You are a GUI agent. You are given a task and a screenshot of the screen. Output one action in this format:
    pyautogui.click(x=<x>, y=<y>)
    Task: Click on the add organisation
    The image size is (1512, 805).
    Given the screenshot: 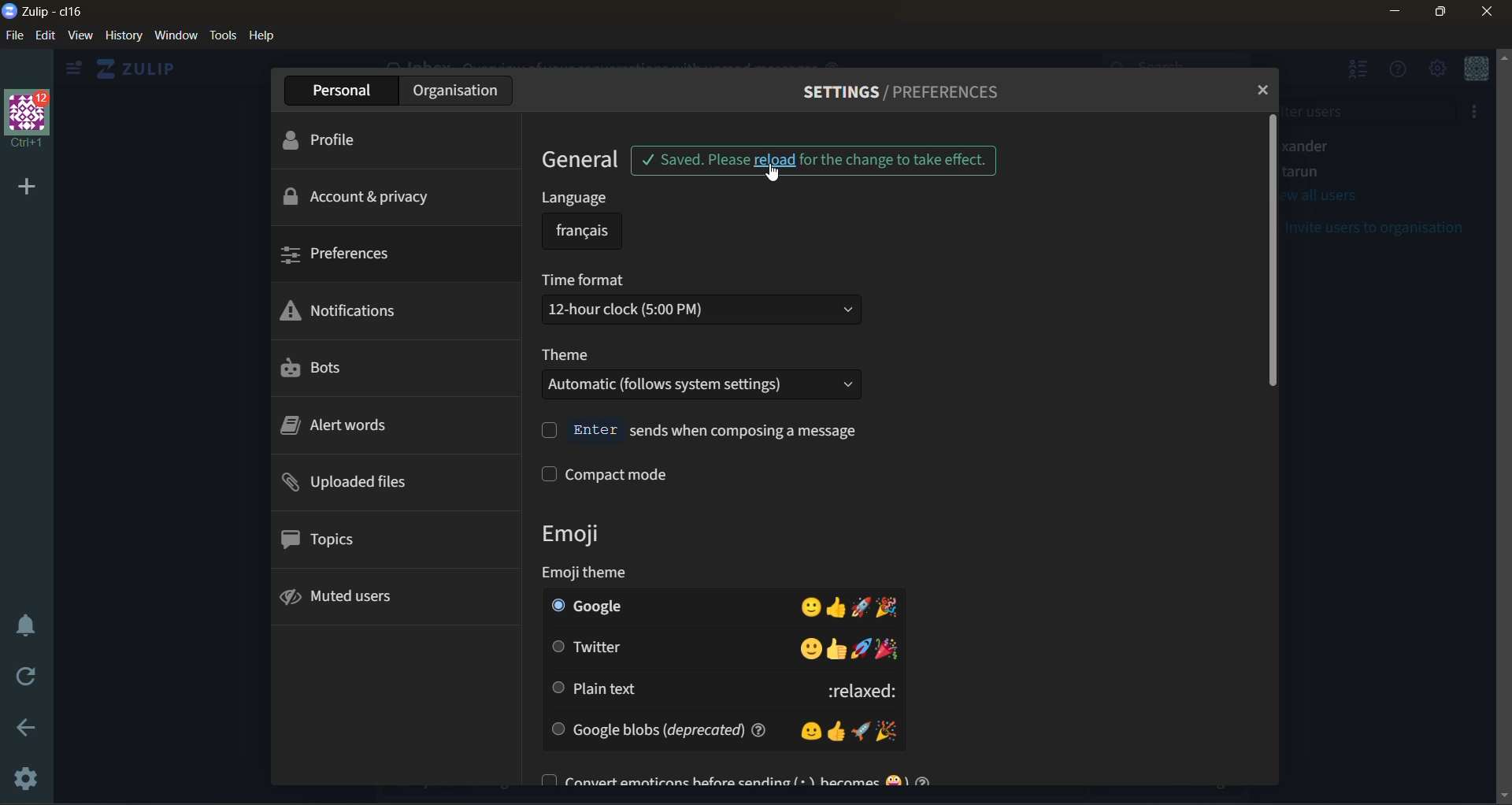 What is the action you would take?
    pyautogui.click(x=24, y=187)
    